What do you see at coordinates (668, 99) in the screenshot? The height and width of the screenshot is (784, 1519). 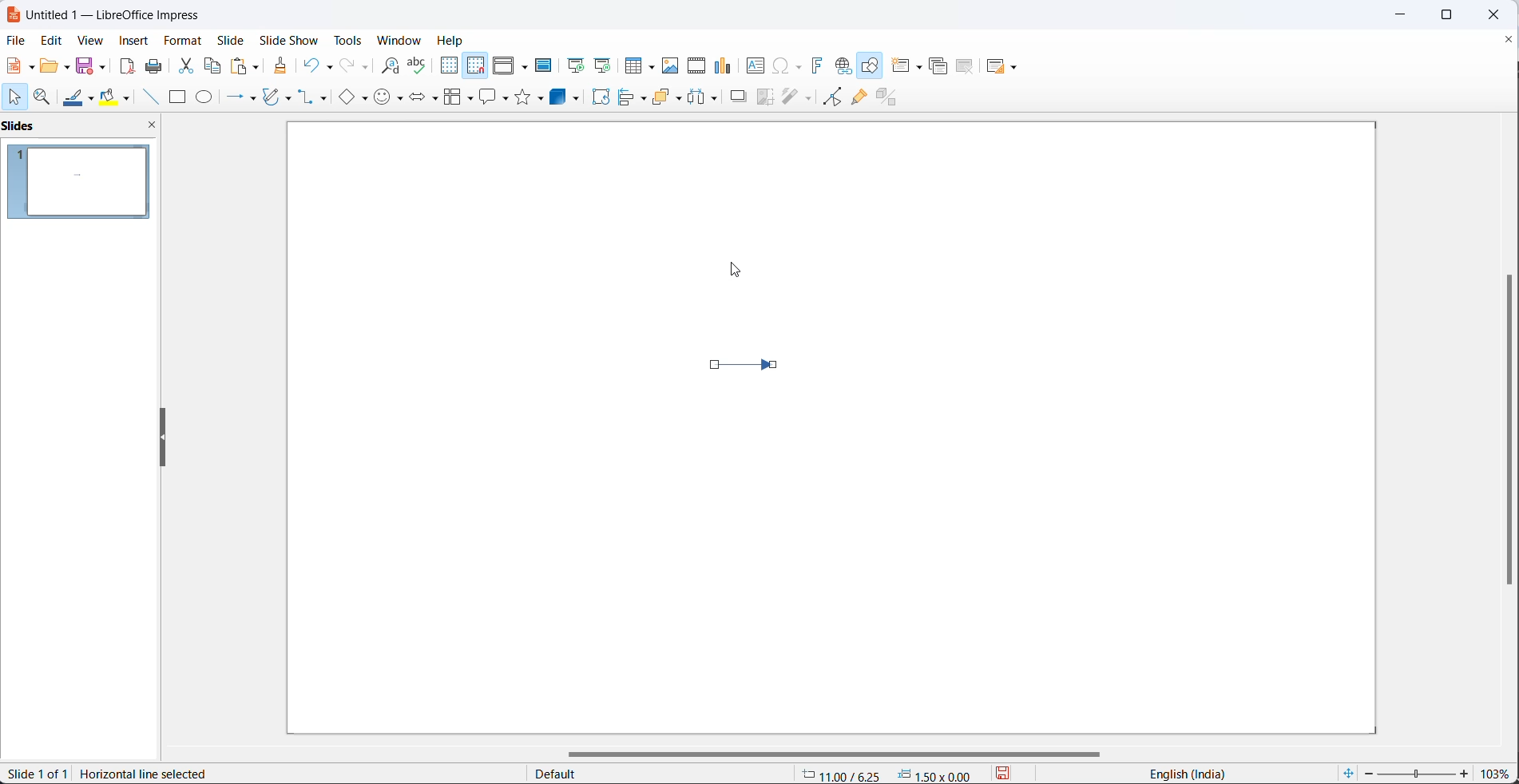 I see `arrange` at bounding box center [668, 99].